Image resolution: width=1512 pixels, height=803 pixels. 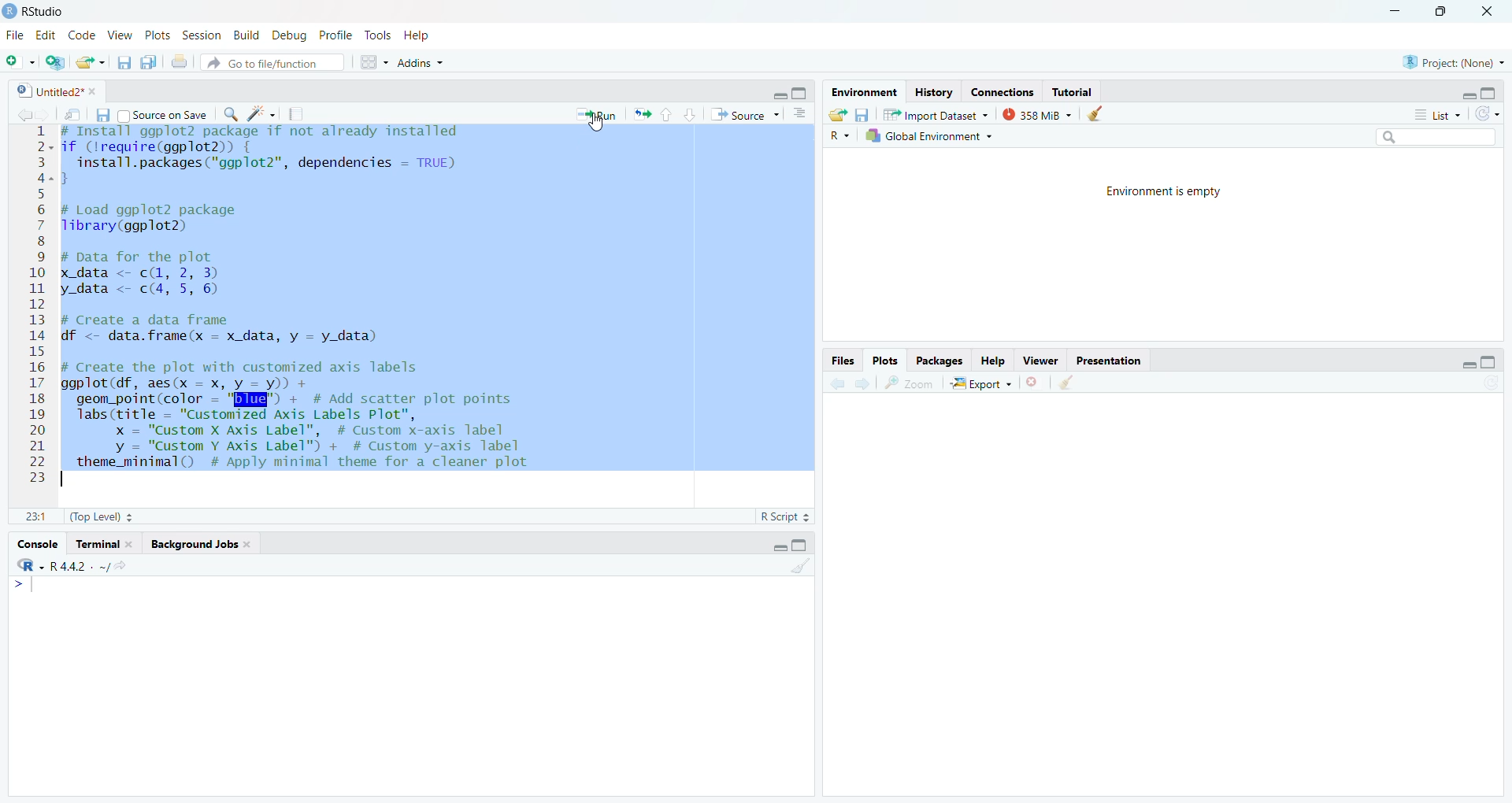 I want to click on copy, so click(x=150, y=65).